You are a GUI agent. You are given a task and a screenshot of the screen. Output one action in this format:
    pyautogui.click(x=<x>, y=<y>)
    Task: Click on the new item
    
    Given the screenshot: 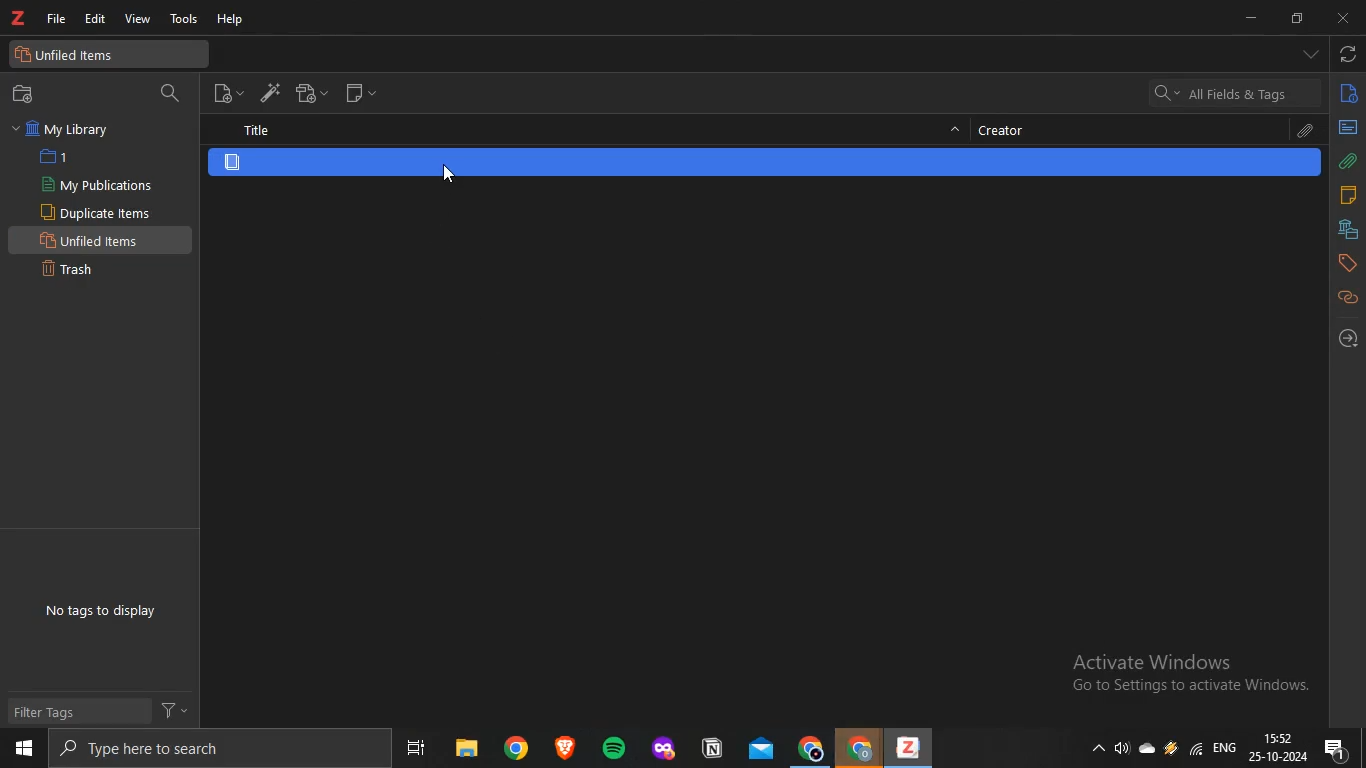 What is the action you would take?
    pyautogui.click(x=228, y=91)
    